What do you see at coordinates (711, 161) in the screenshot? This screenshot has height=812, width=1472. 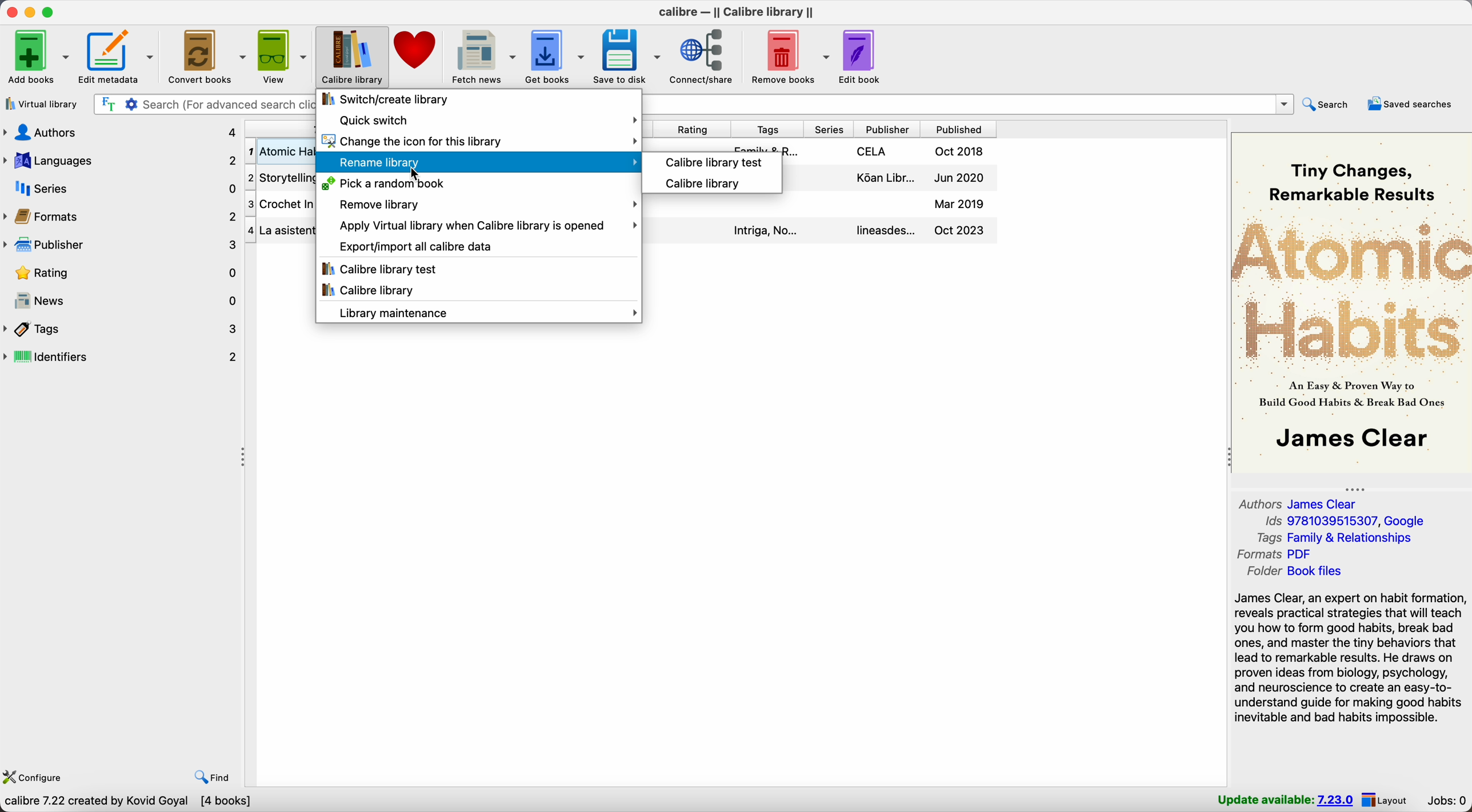 I see `calibre library test` at bounding box center [711, 161].